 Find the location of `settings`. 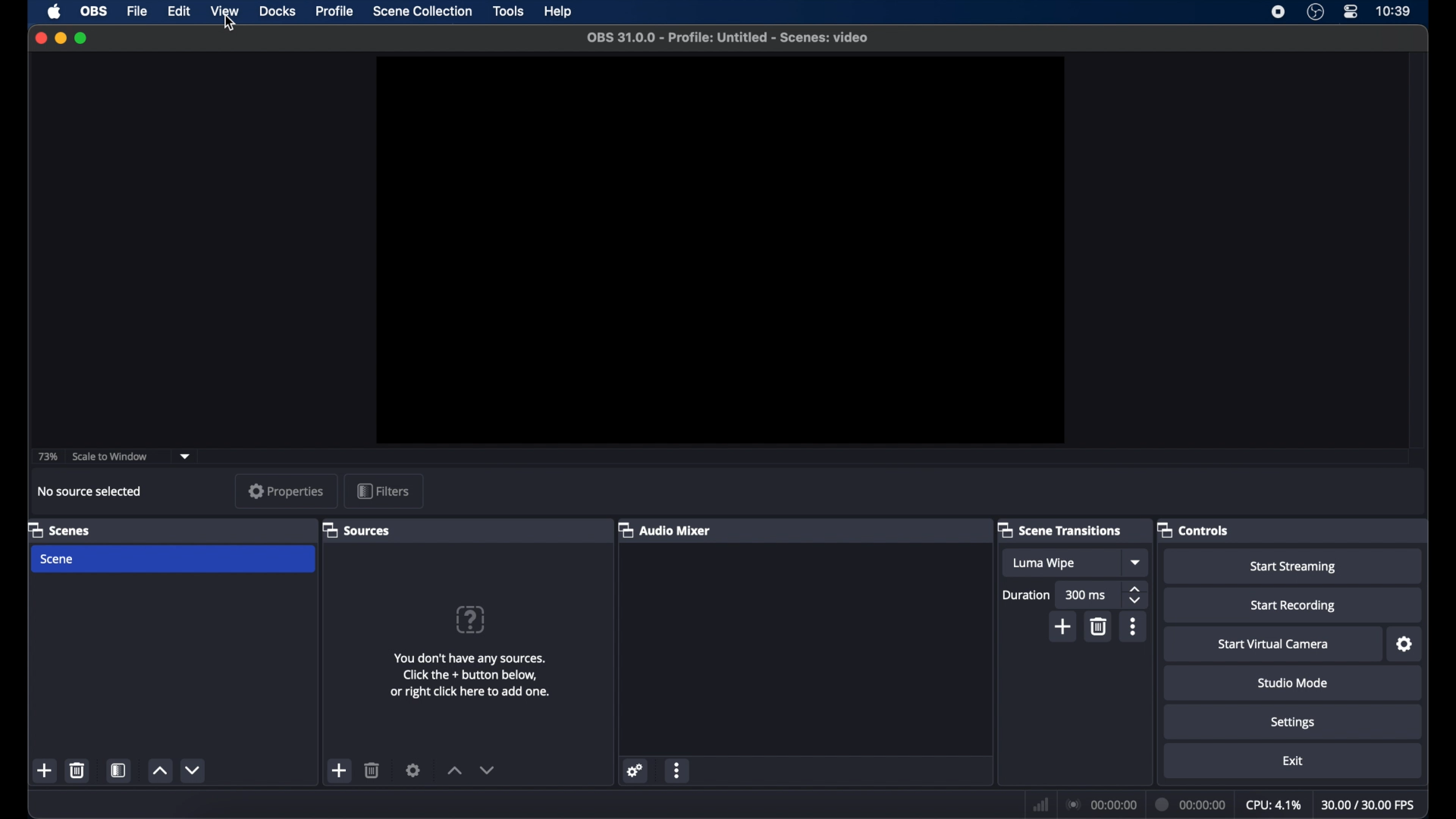

settings is located at coordinates (1295, 721).